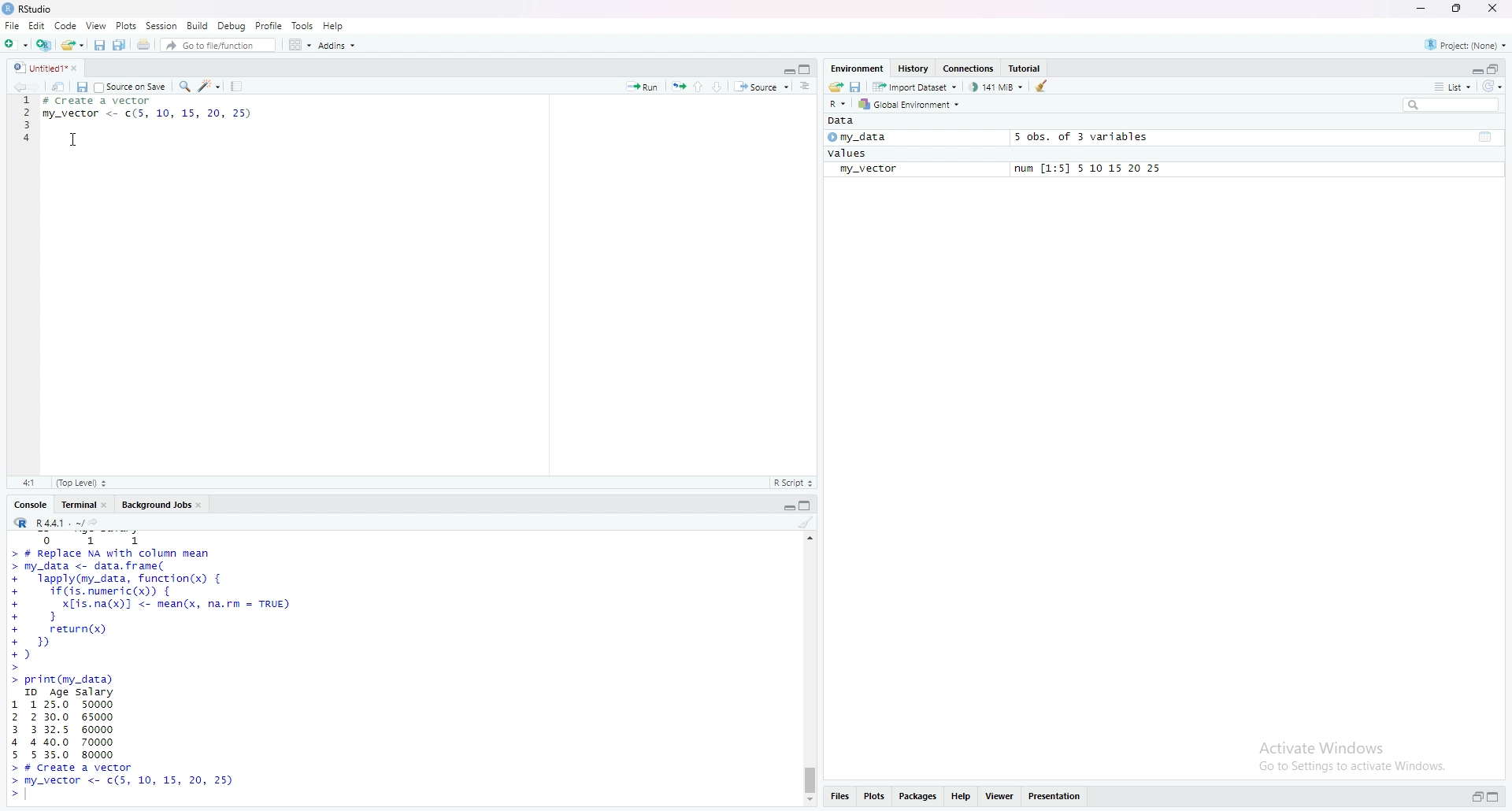  I want to click on expand, so click(1475, 797).